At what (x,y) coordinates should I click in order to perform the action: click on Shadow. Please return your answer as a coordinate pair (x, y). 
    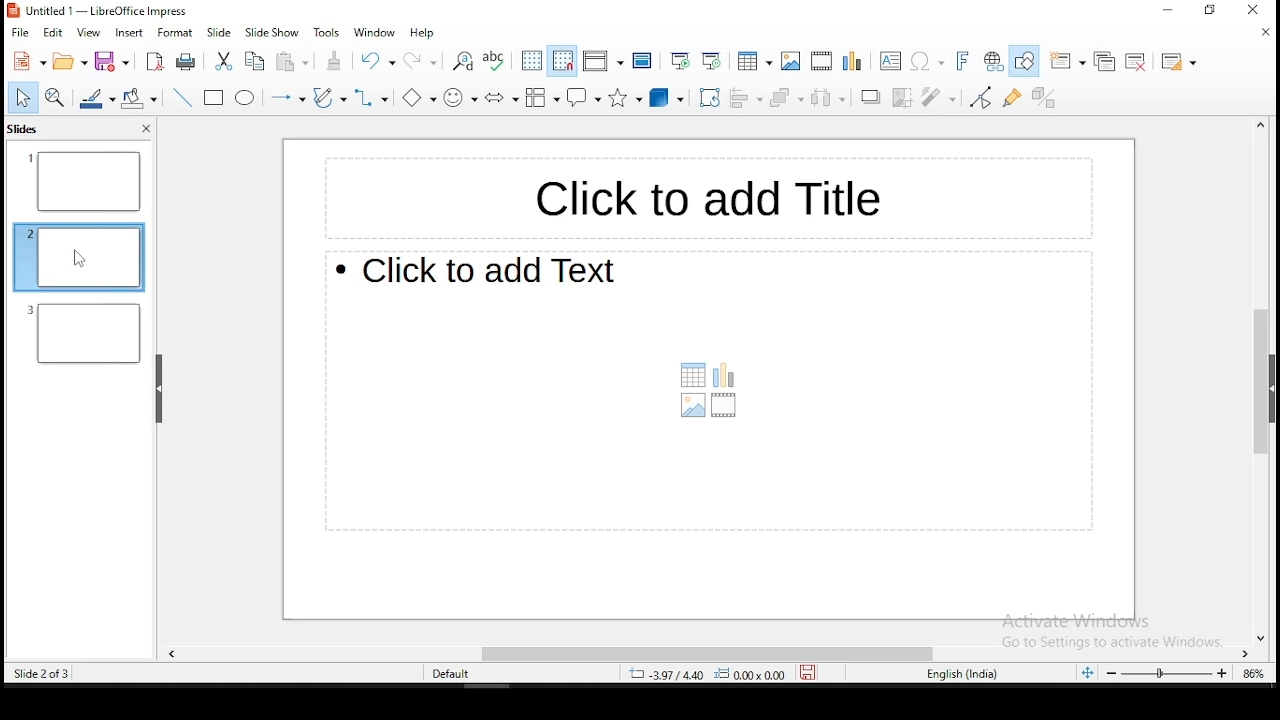
    Looking at the image, I should click on (871, 96).